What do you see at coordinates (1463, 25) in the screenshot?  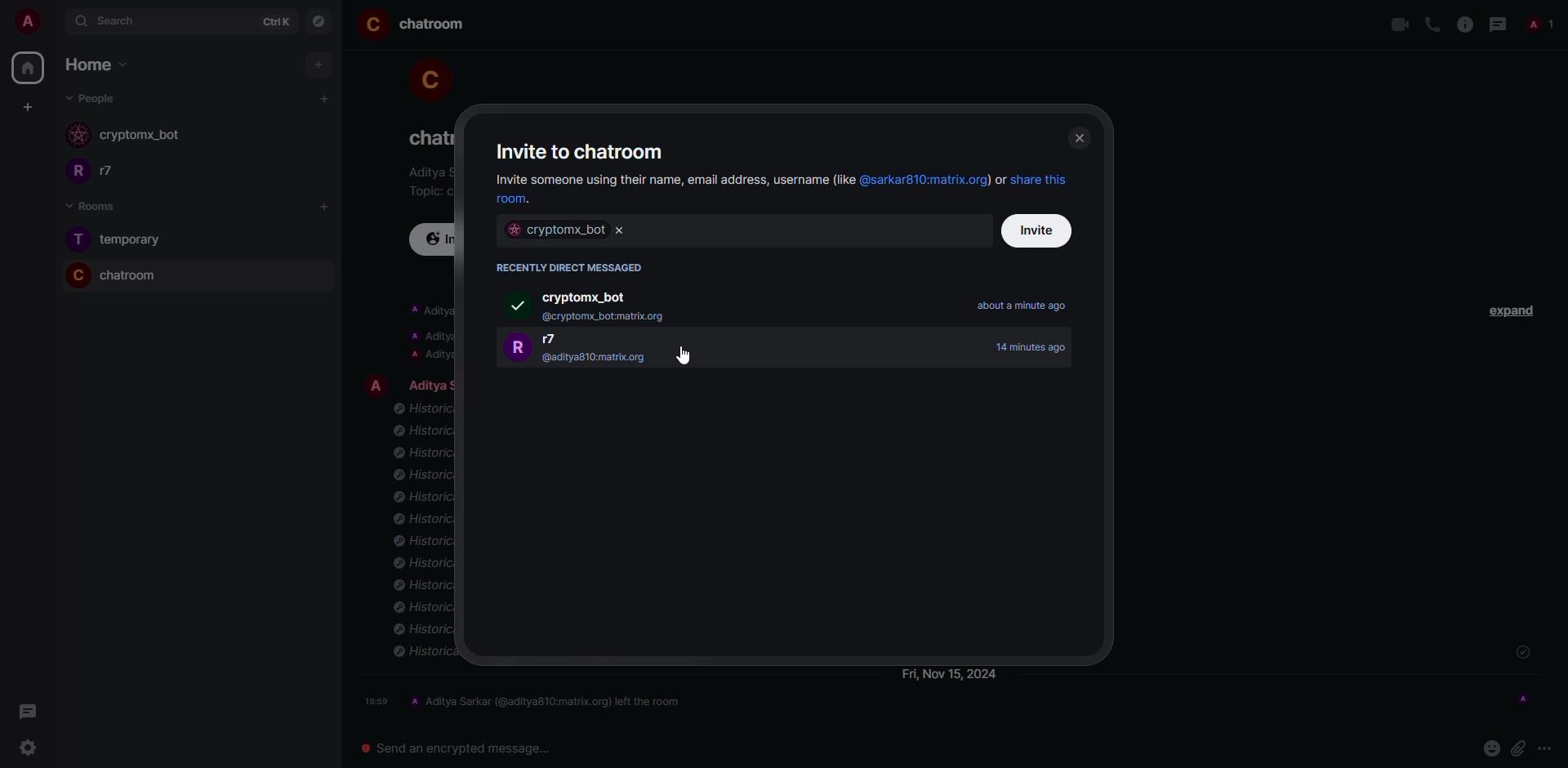 I see `info` at bounding box center [1463, 25].